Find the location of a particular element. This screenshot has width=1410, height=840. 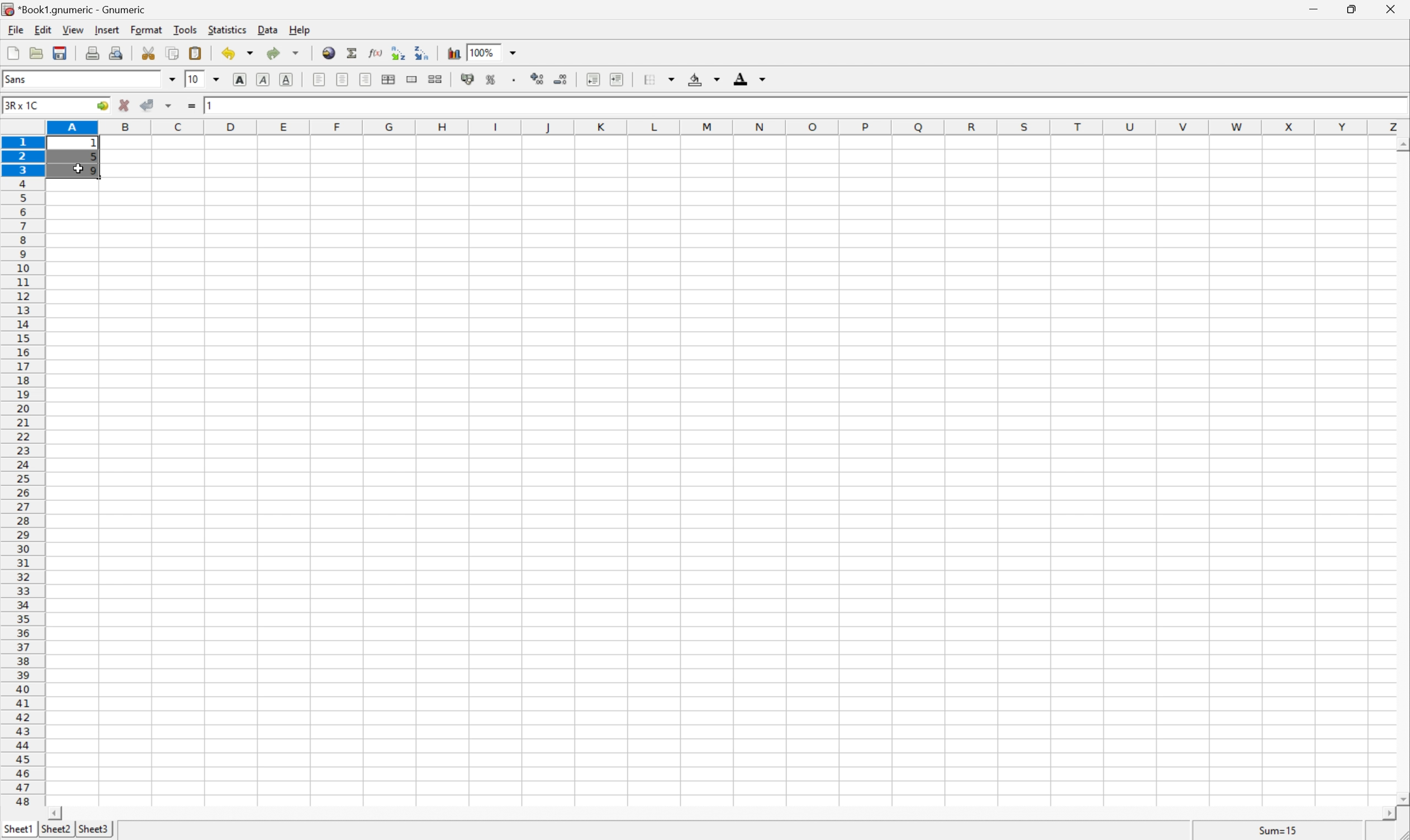

column names is located at coordinates (730, 128).